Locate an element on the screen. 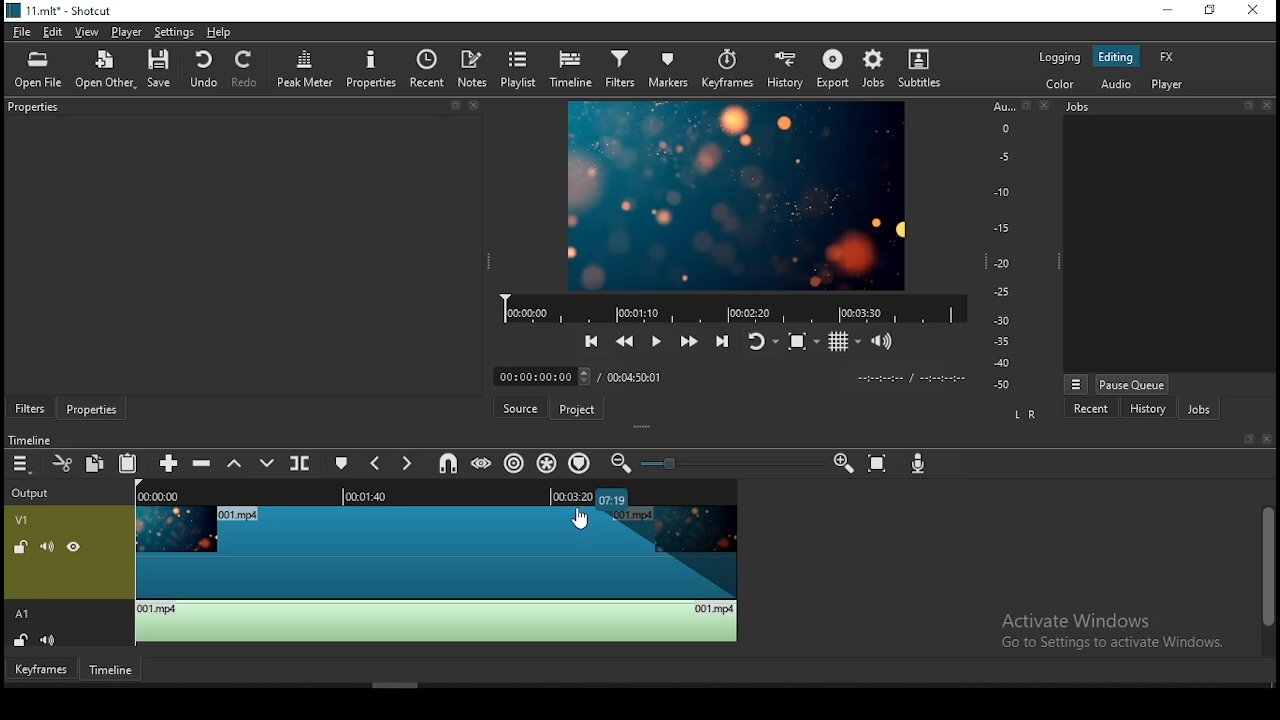 The height and width of the screenshot is (720, 1280). show volume control is located at coordinates (883, 343).